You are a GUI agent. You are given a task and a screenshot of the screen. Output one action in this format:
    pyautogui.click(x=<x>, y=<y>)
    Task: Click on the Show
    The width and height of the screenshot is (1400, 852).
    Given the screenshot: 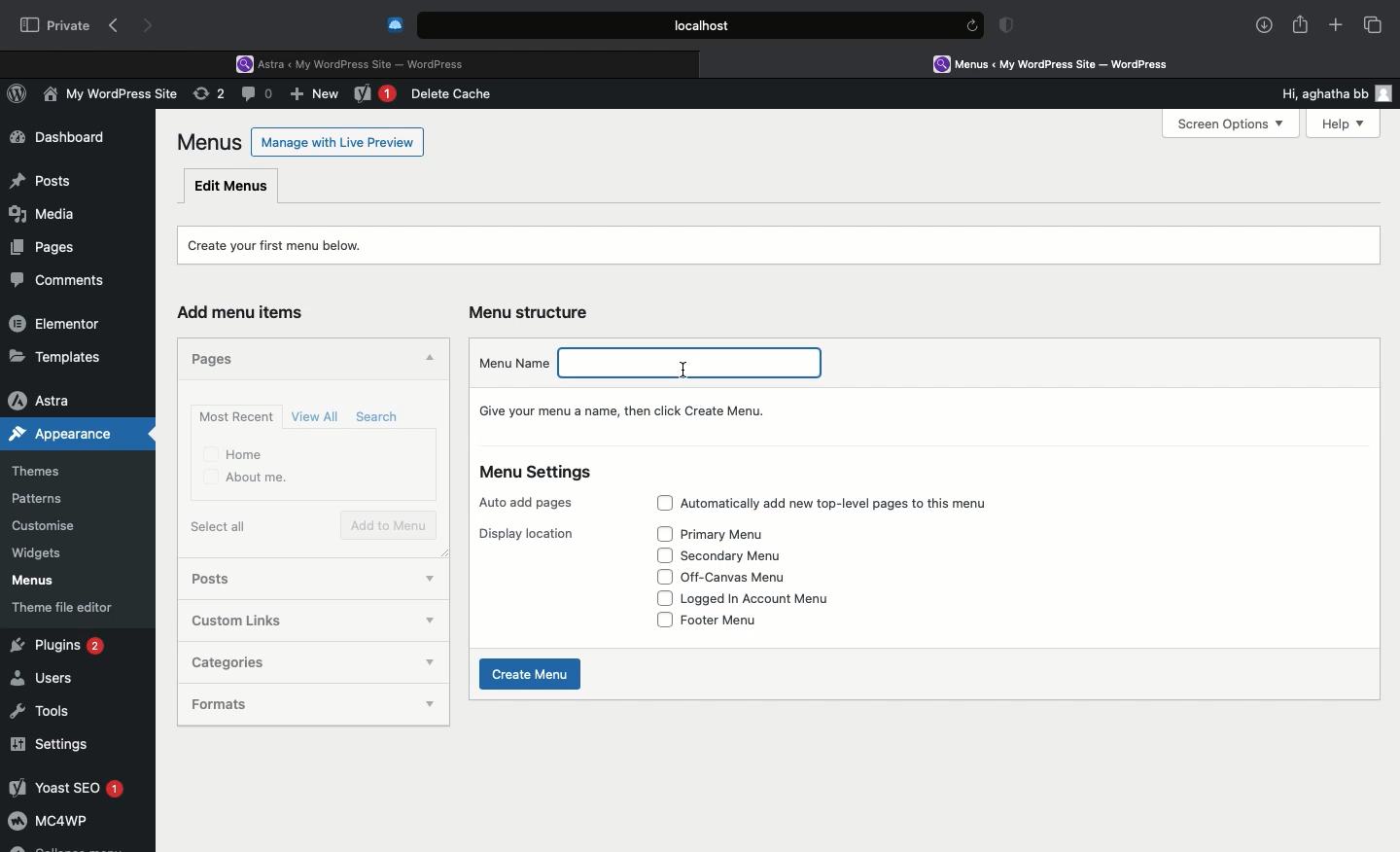 What is the action you would take?
    pyautogui.click(x=430, y=706)
    